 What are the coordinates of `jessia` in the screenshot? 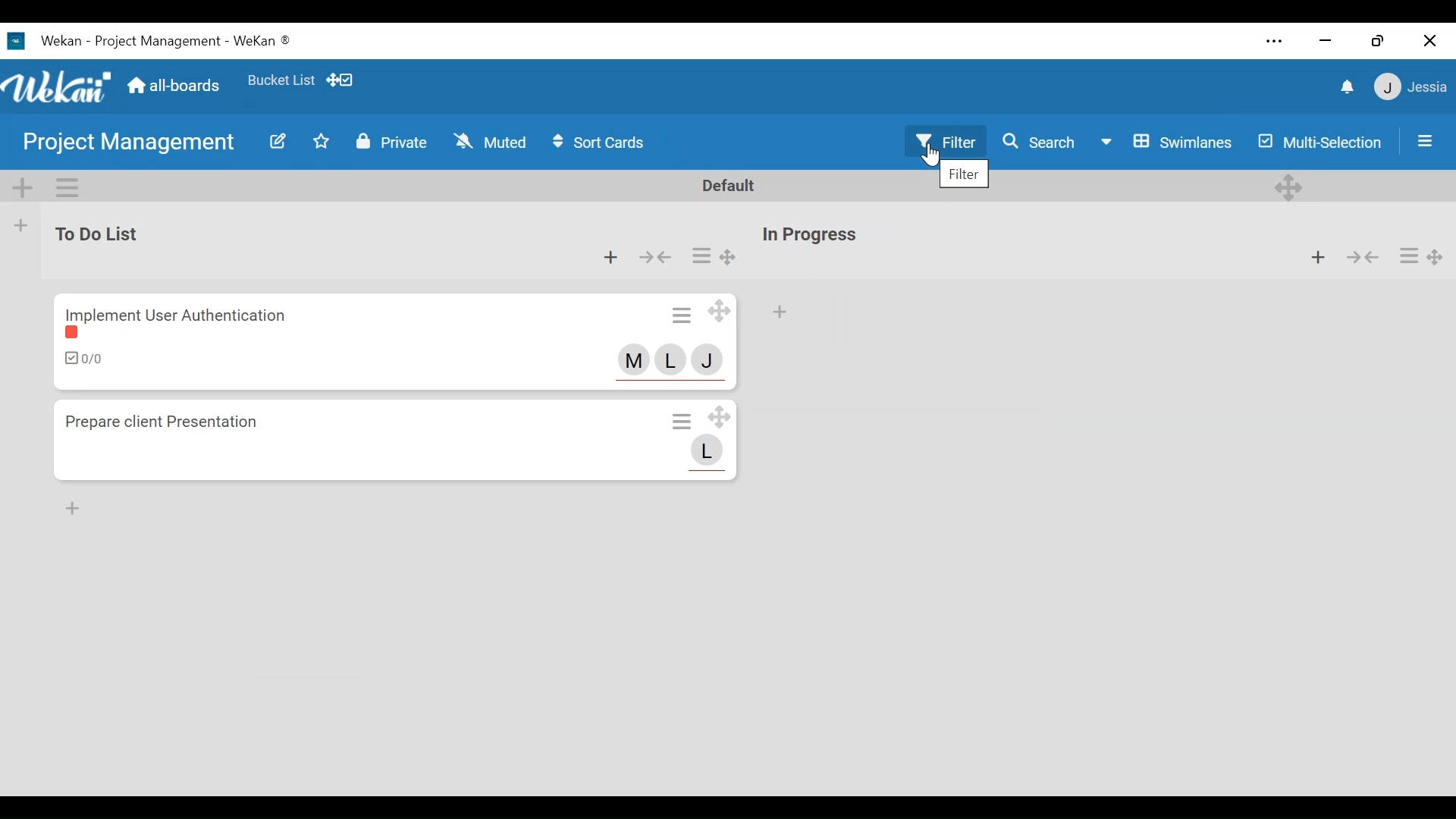 It's located at (1409, 87).